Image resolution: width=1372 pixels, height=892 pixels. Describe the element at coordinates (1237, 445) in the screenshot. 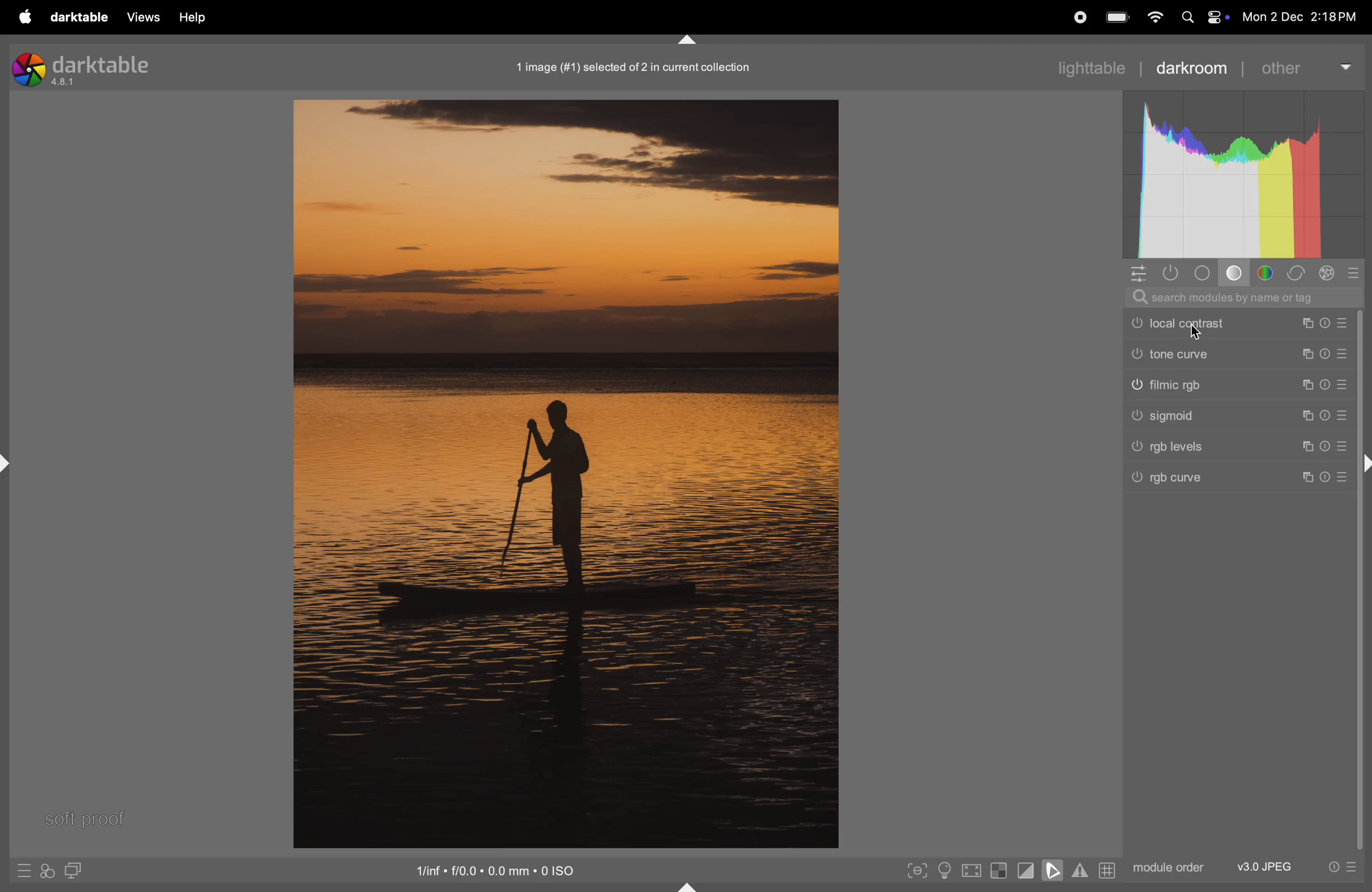

I see `rgb levels` at that location.